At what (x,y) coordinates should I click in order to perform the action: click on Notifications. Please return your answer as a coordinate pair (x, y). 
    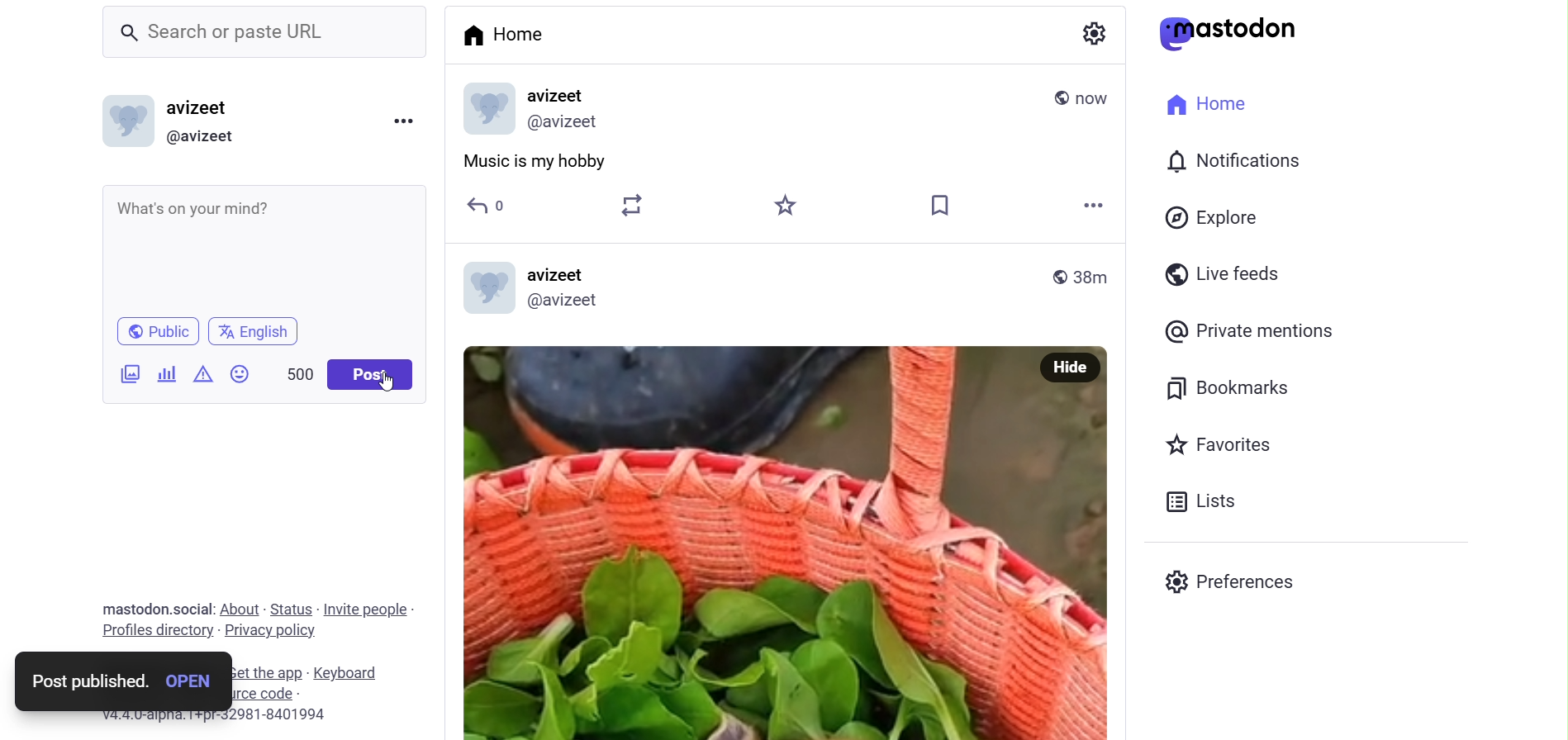
    Looking at the image, I should click on (1238, 161).